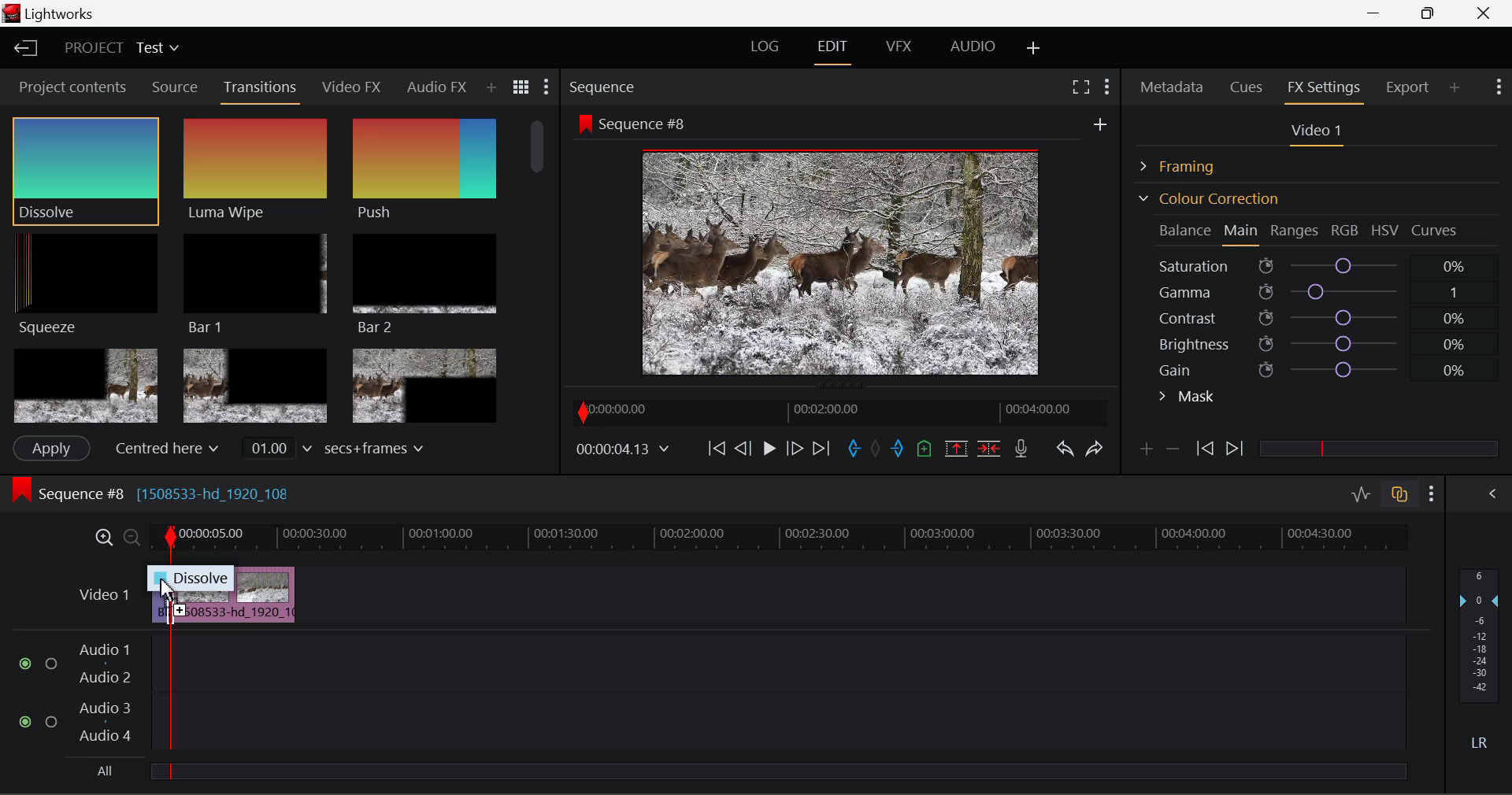  What do you see at coordinates (102, 593) in the screenshot?
I see `Video 1` at bounding box center [102, 593].